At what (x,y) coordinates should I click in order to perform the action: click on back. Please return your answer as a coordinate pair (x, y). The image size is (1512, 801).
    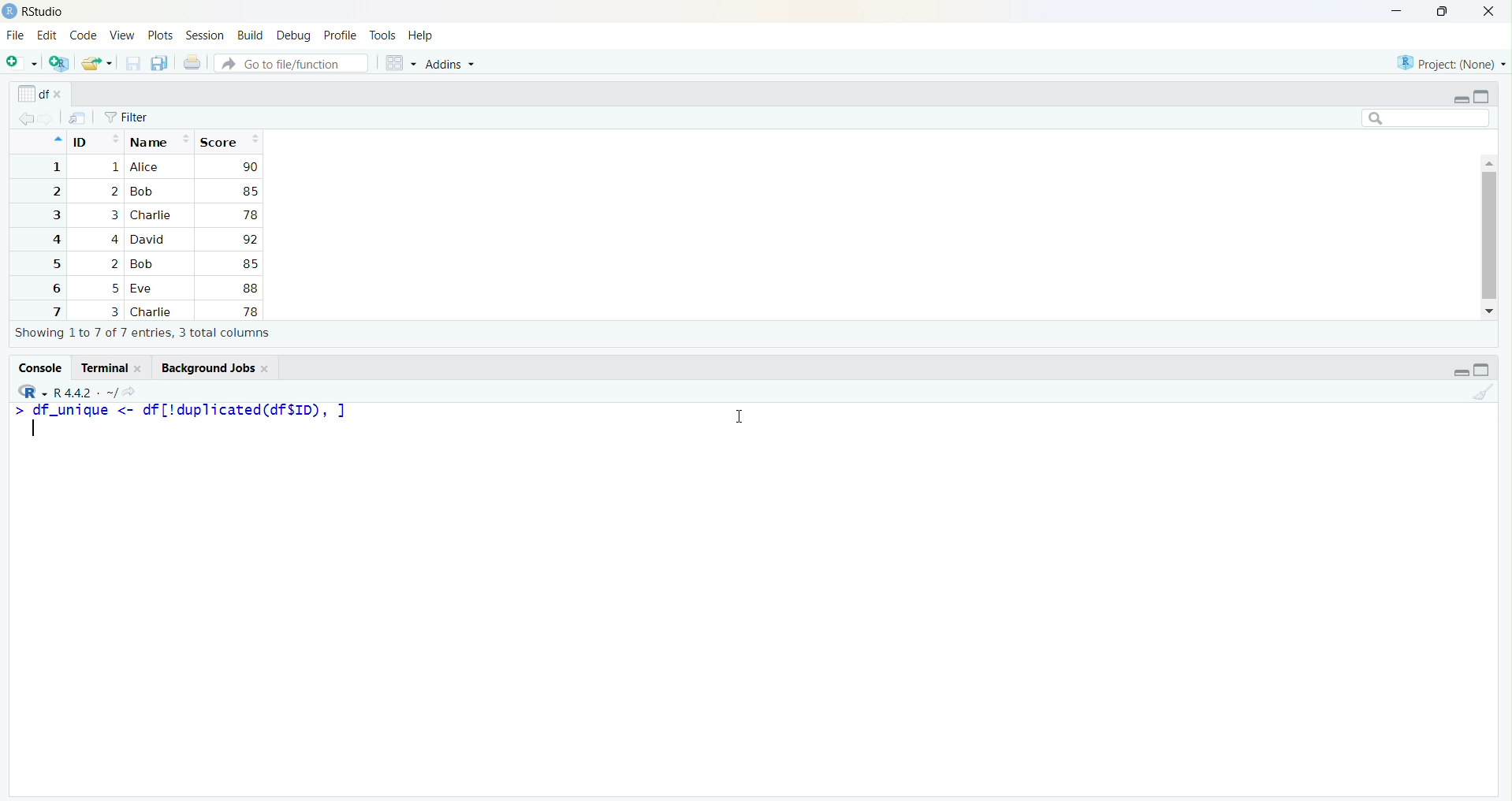
    Looking at the image, I should click on (26, 119).